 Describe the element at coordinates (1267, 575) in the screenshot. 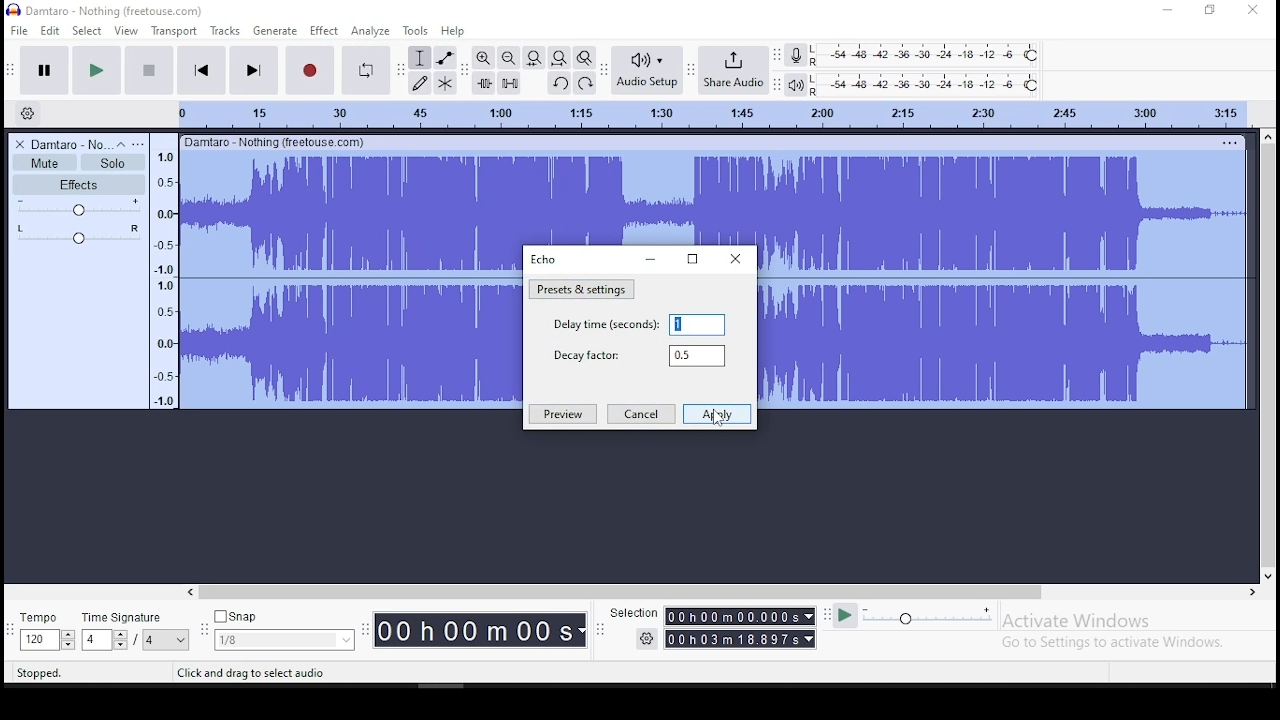

I see `down` at that location.